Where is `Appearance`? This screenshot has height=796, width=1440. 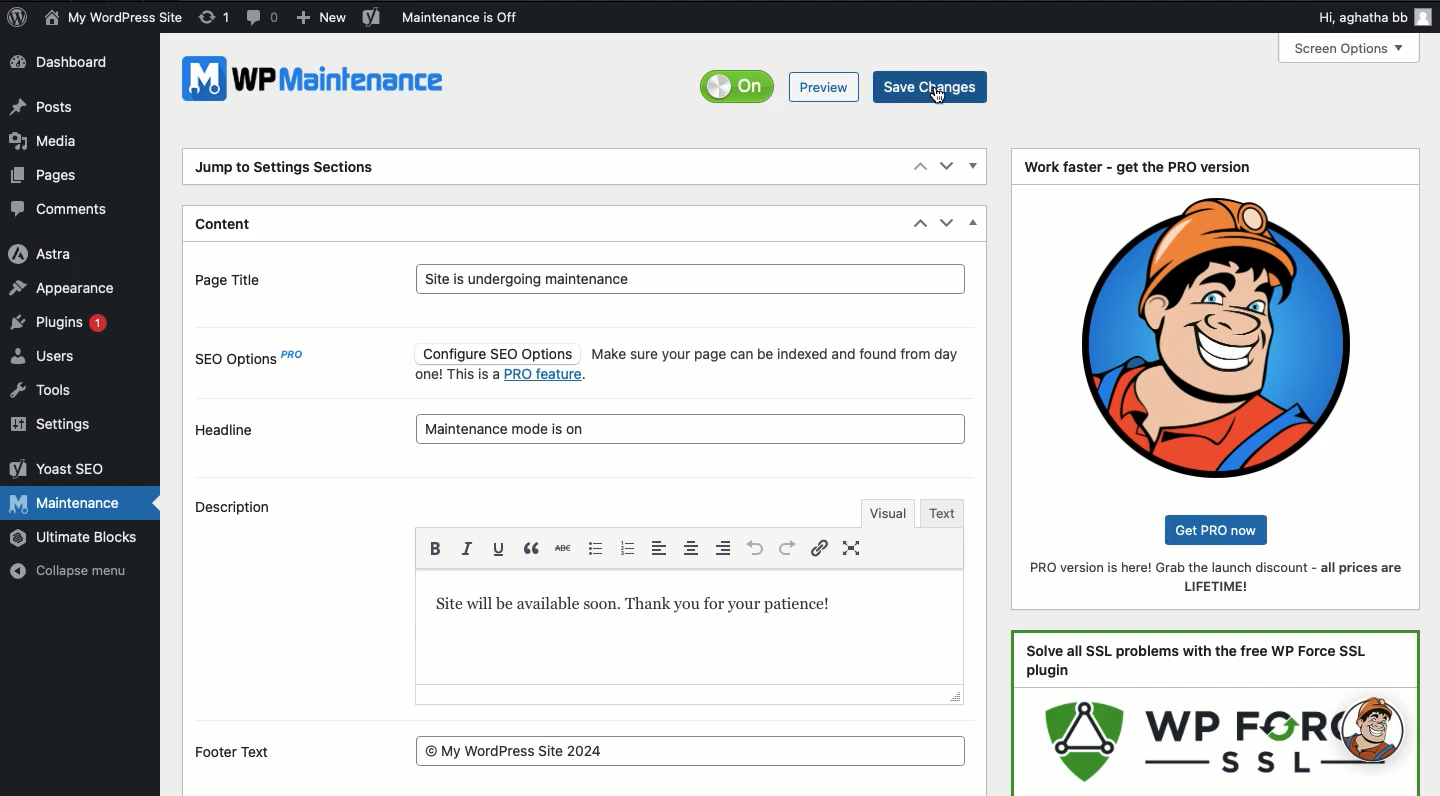 Appearance is located at coordinates (67, 288).